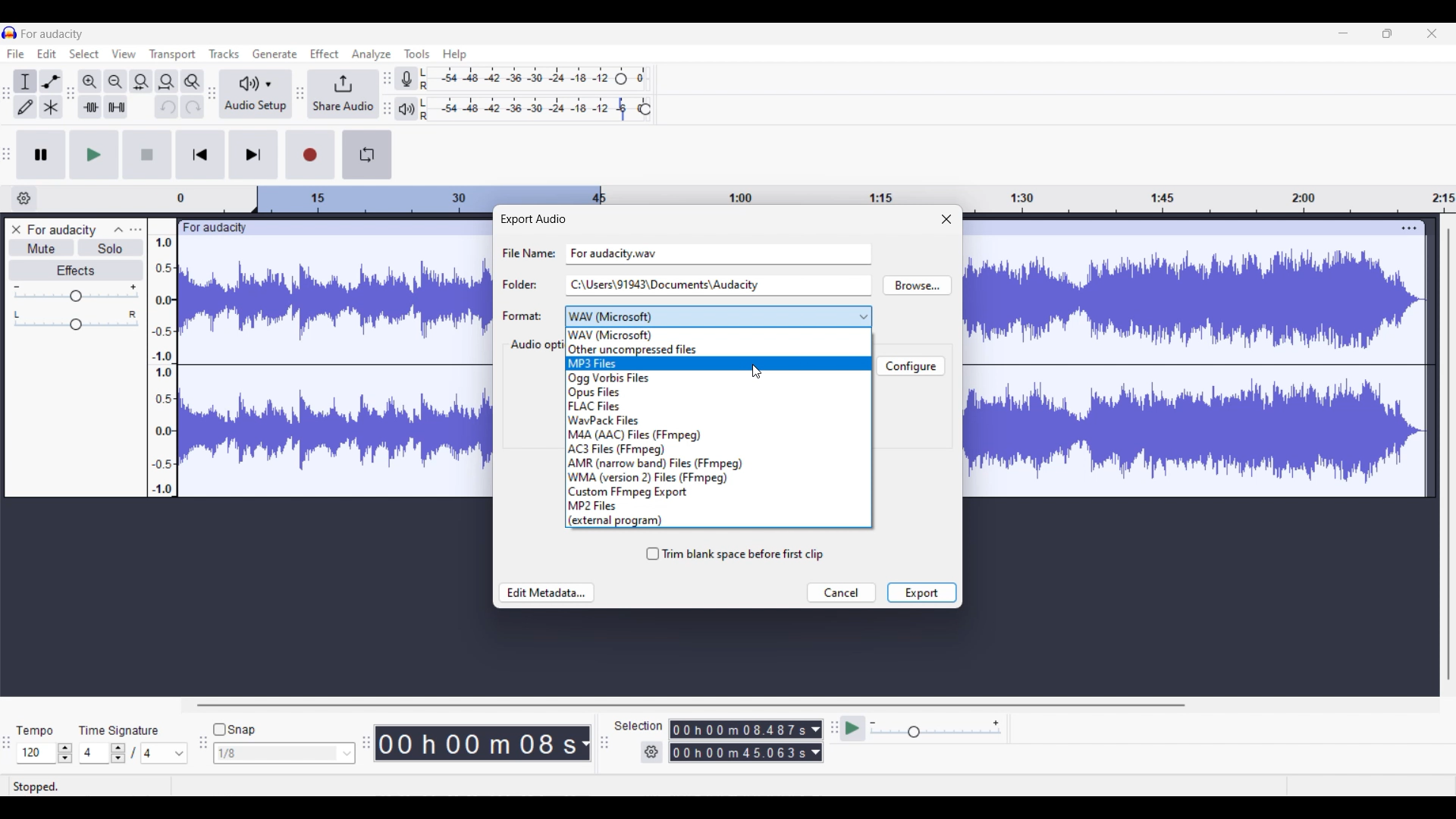  I want to click on Duration measurement, so click(815, 752).